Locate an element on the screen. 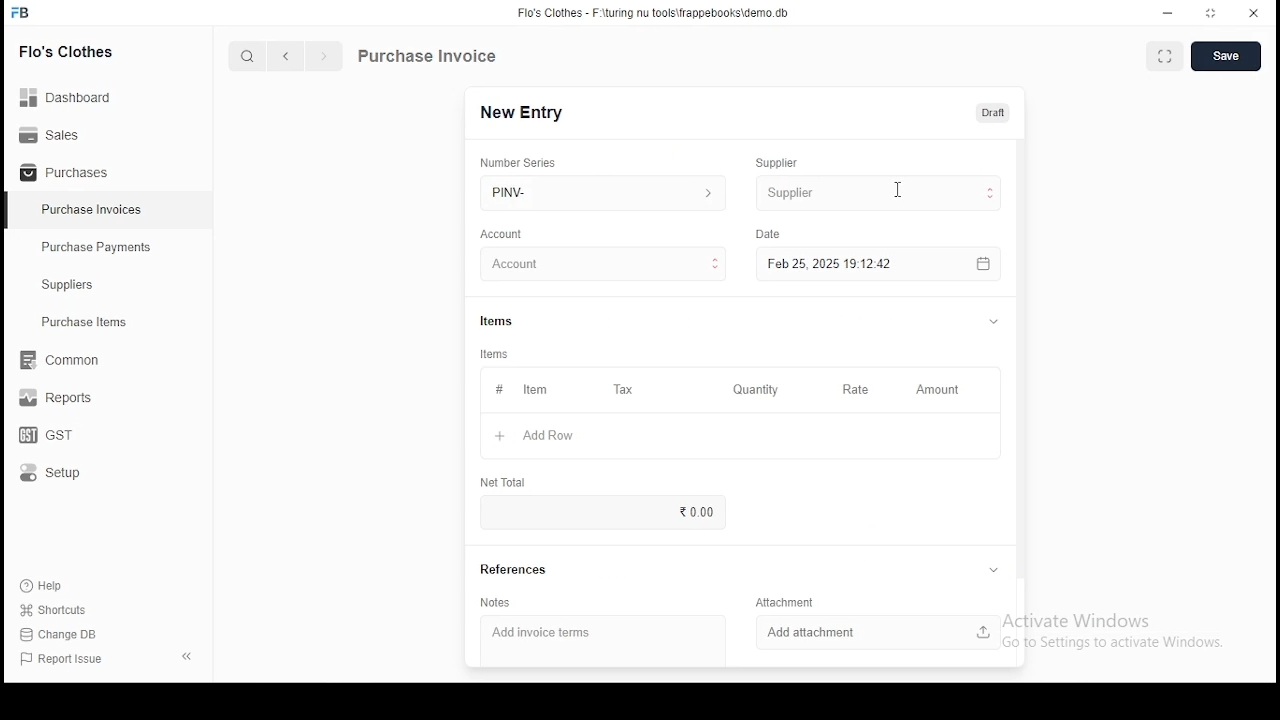 Image resolution: width=1280 pixels, height=720 pixels. Date is located at coordinates (770, 235).